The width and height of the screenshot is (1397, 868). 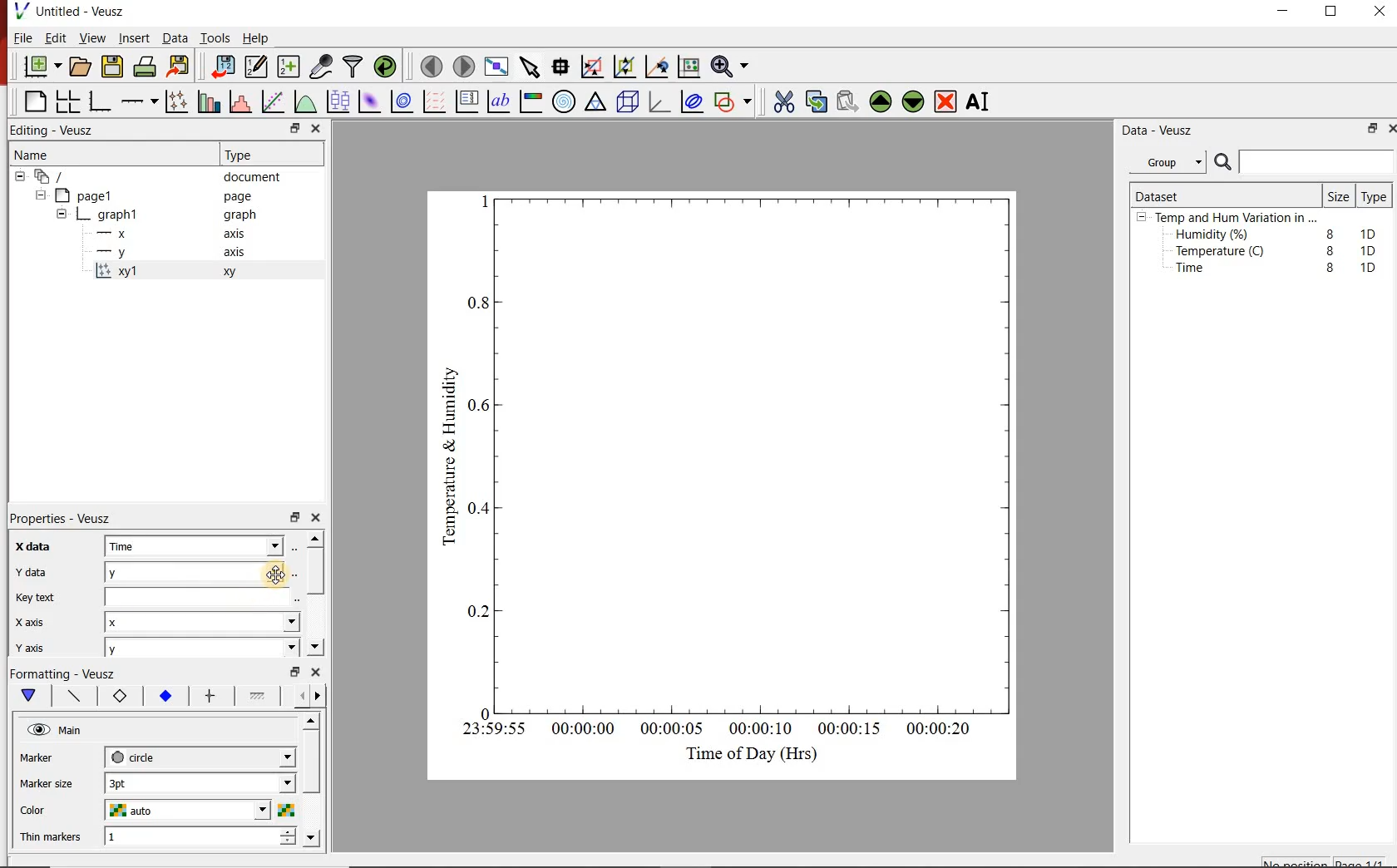 What do you see at coordinates (435, 101) in the screenshot?
I see `plot a vector field` at bounding box center [435, 101].